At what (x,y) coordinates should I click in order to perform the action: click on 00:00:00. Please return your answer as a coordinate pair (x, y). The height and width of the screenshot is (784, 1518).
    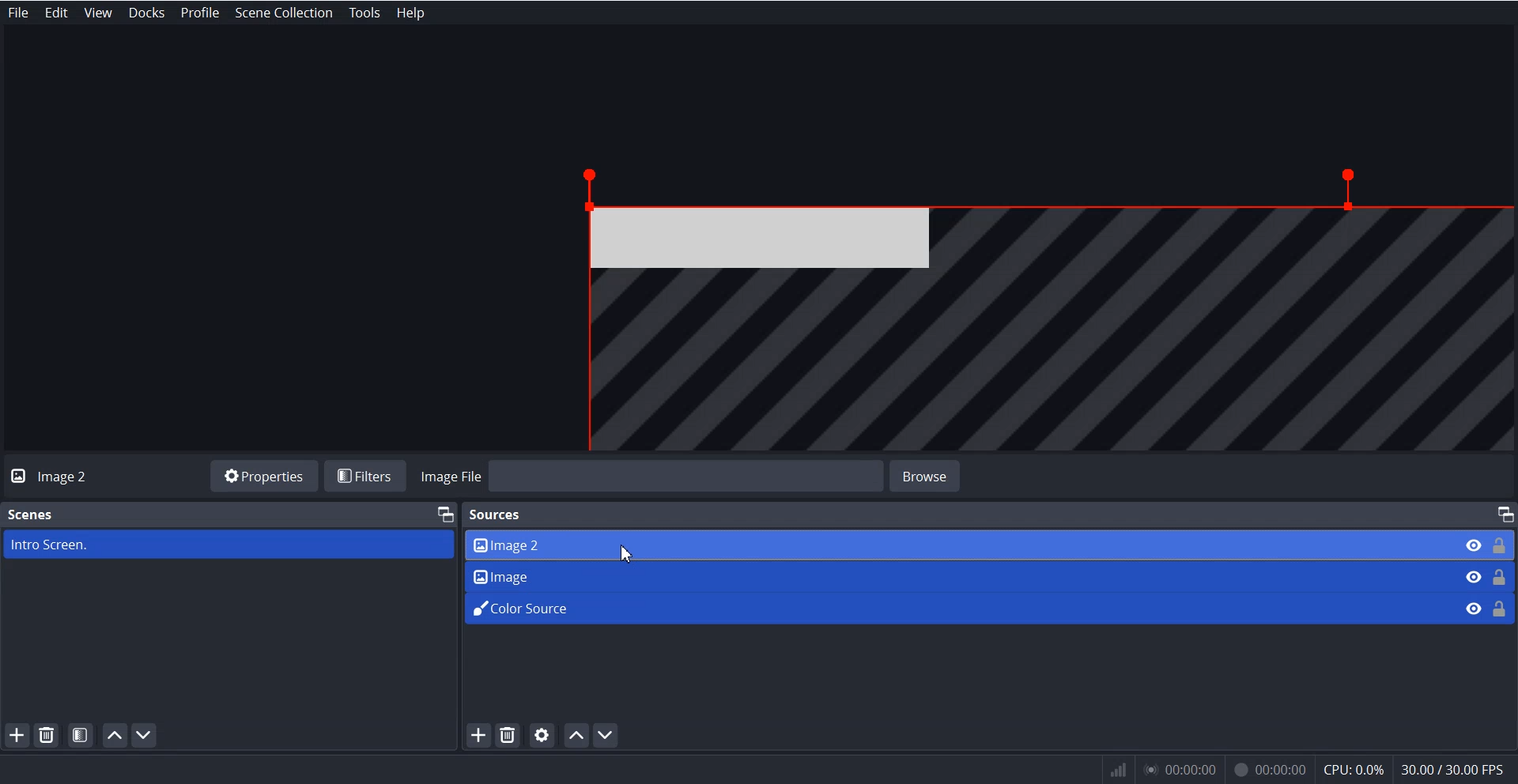
    Looking at the image, I should click on (1183, 770).